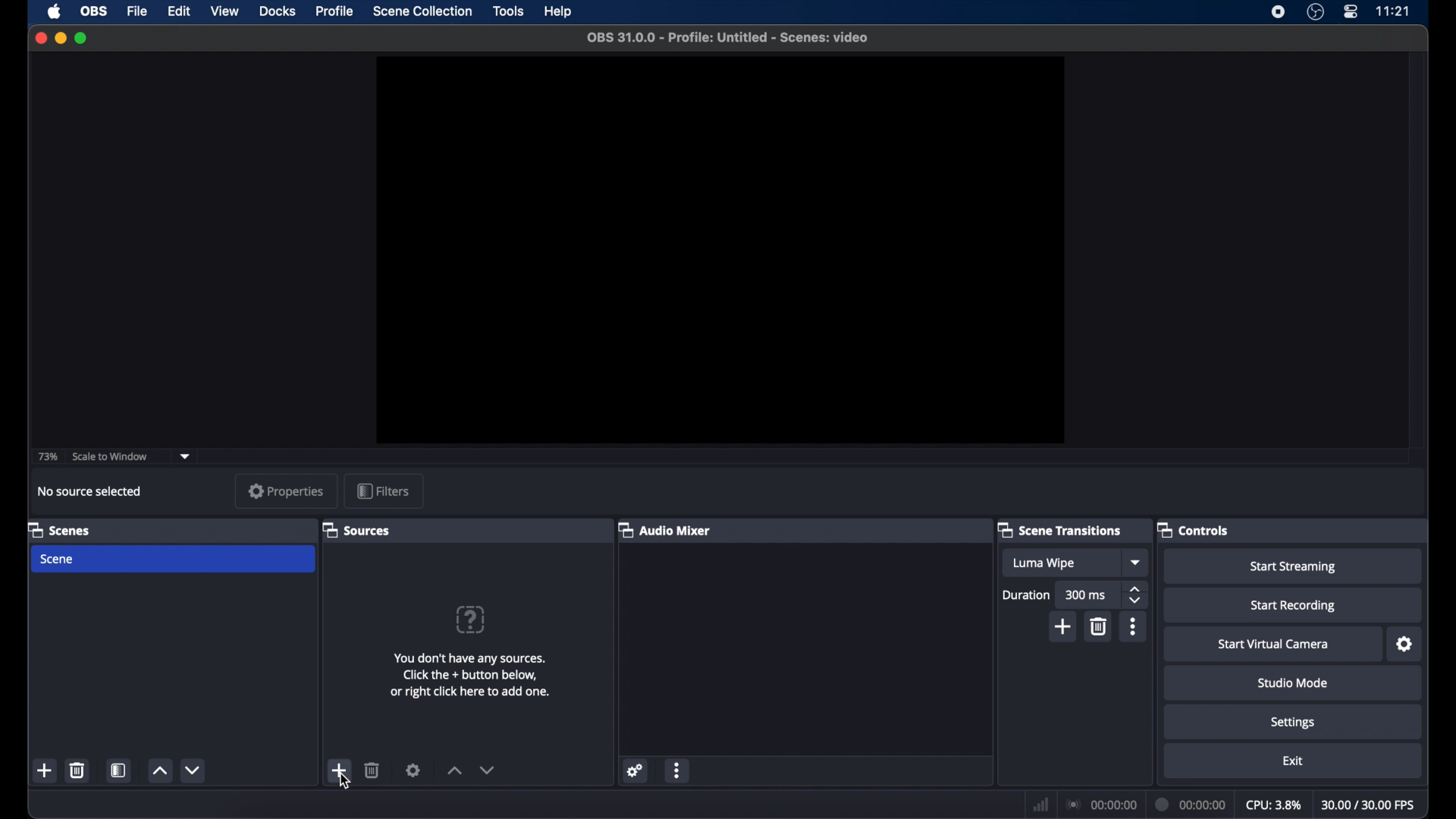 This screenshot has width=1456, height=819. Describe the element at coordinates (677, 770) in the screenshot. I see `more options` at that location.